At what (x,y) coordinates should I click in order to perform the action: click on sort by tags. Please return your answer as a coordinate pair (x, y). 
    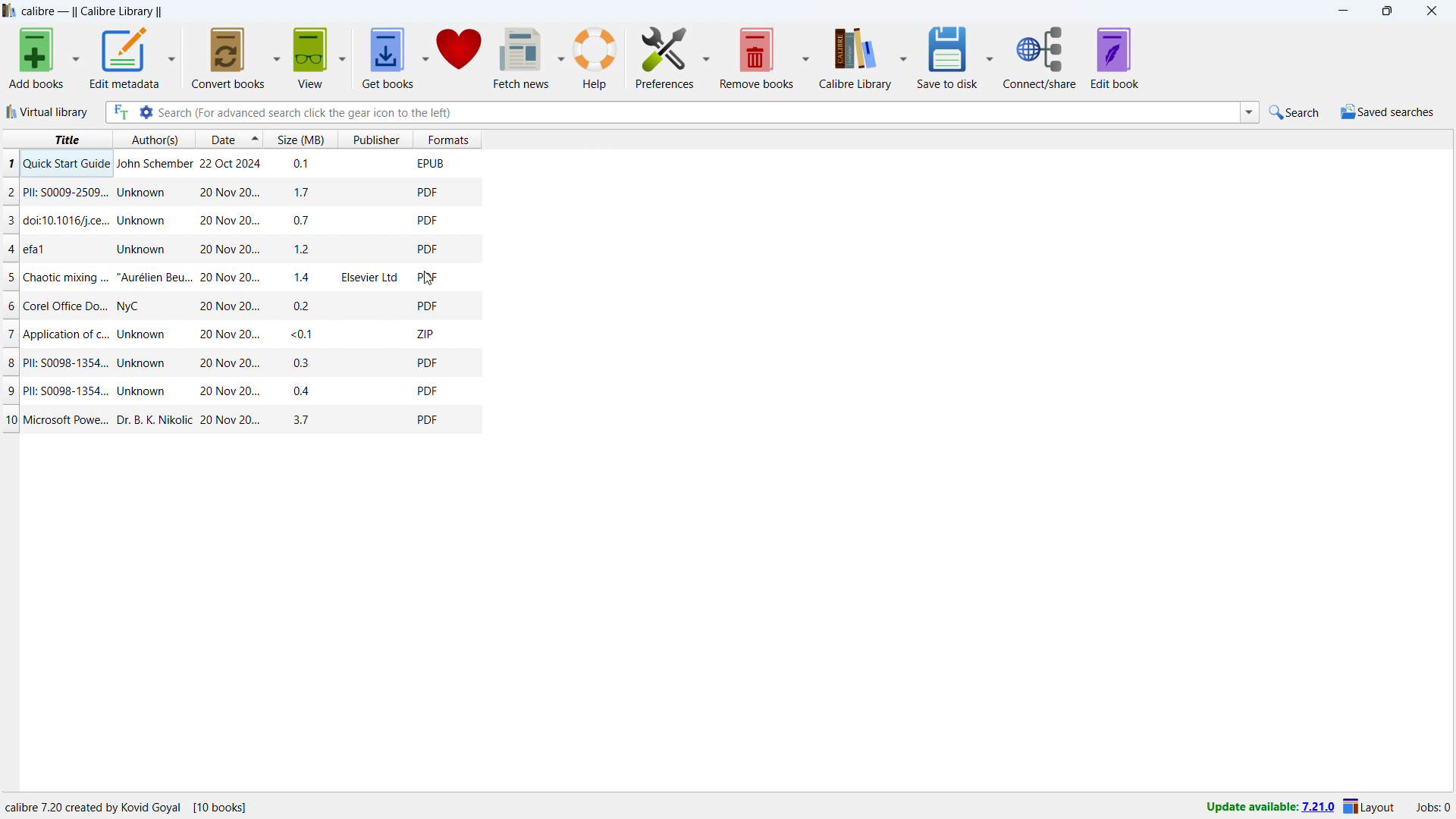
    Looking at the image, I should click on (364, 139).